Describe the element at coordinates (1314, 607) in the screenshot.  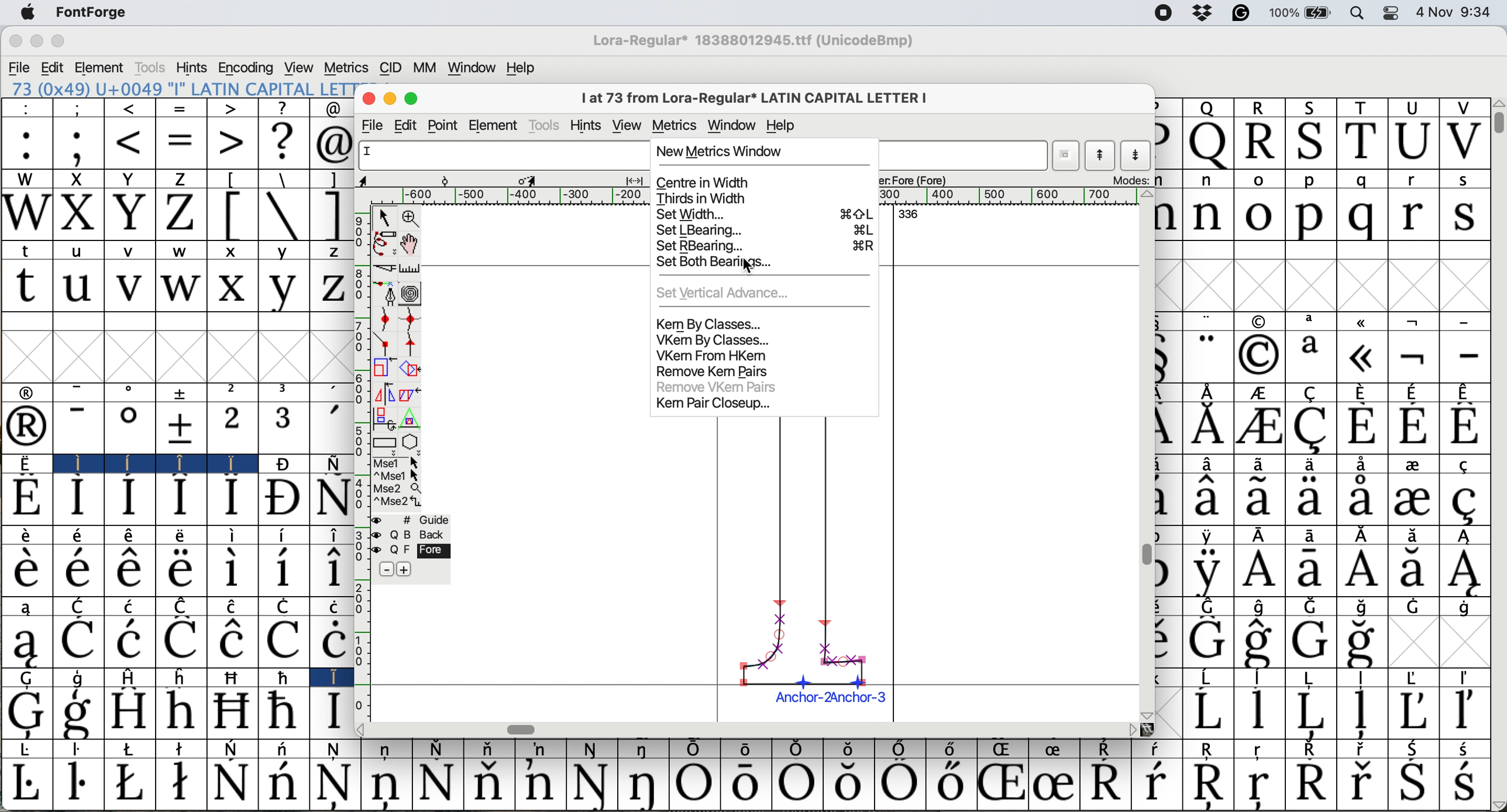
I see `Symbol` at that location.